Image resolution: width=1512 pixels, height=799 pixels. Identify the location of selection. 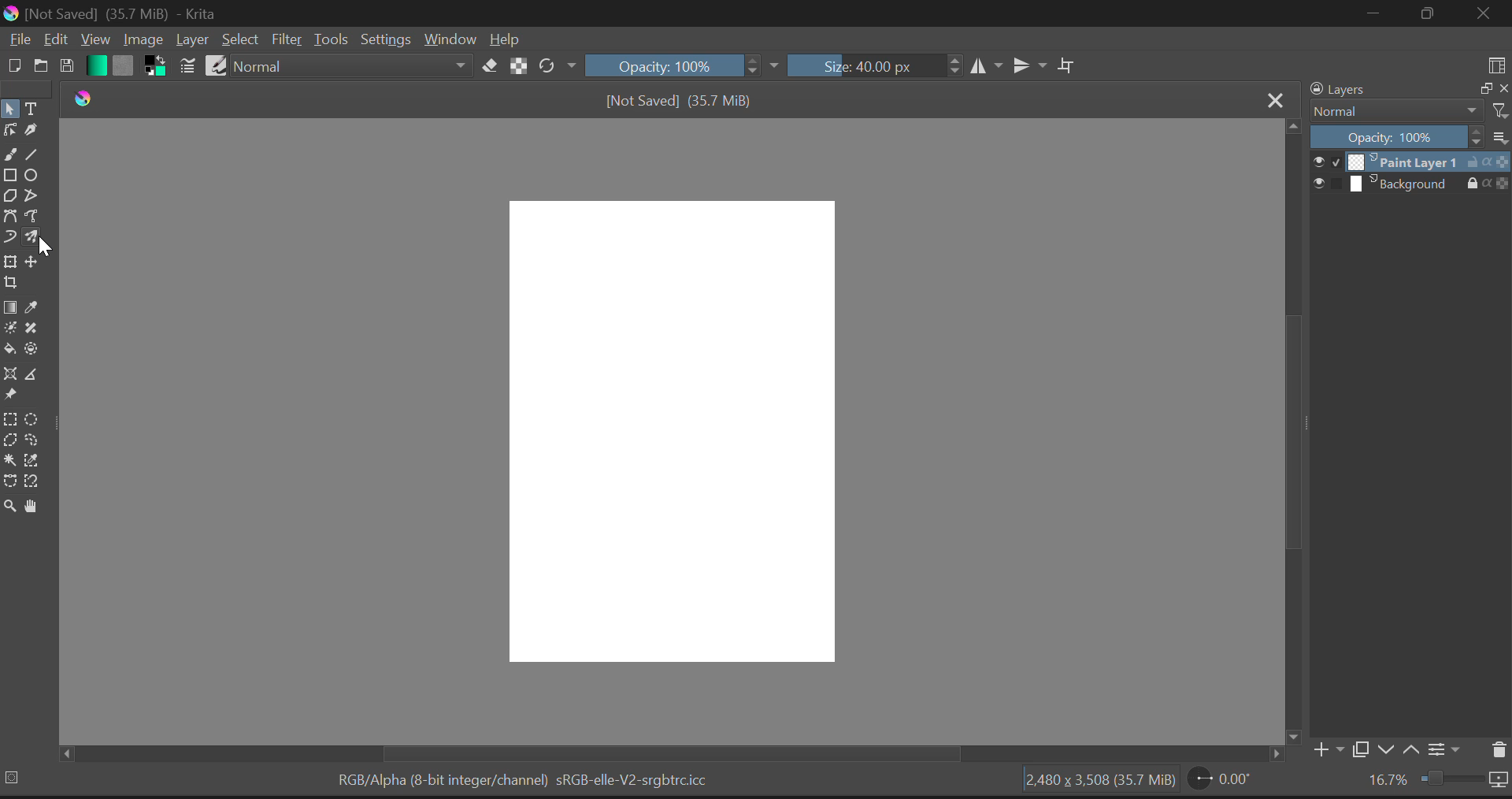
(13, 778).